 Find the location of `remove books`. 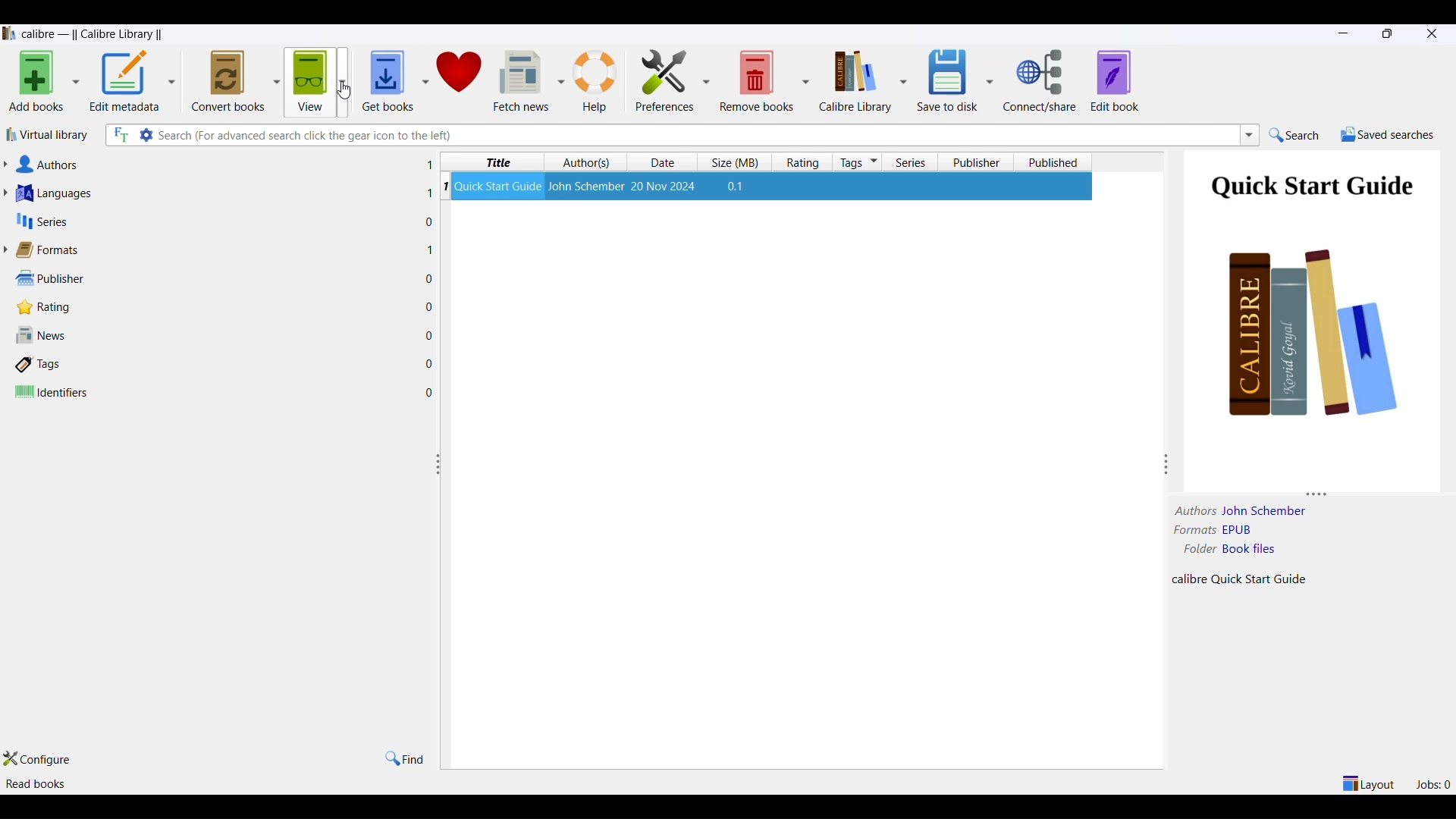

remove books is located at coordinates (755, 81).